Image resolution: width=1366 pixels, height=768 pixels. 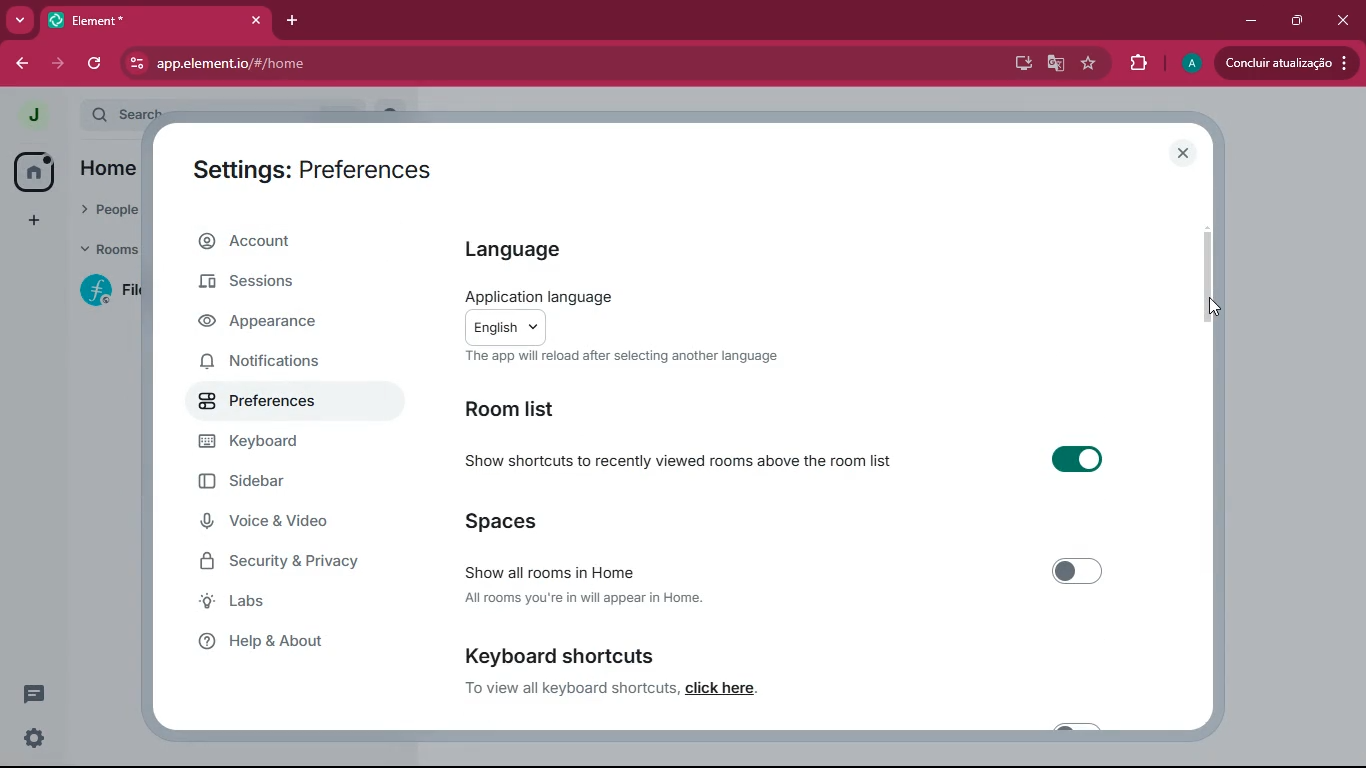 What do you see at coordinates (1208, 276) in the screenshot?
I see `scroll bar` at bounding box center [1208, 276].